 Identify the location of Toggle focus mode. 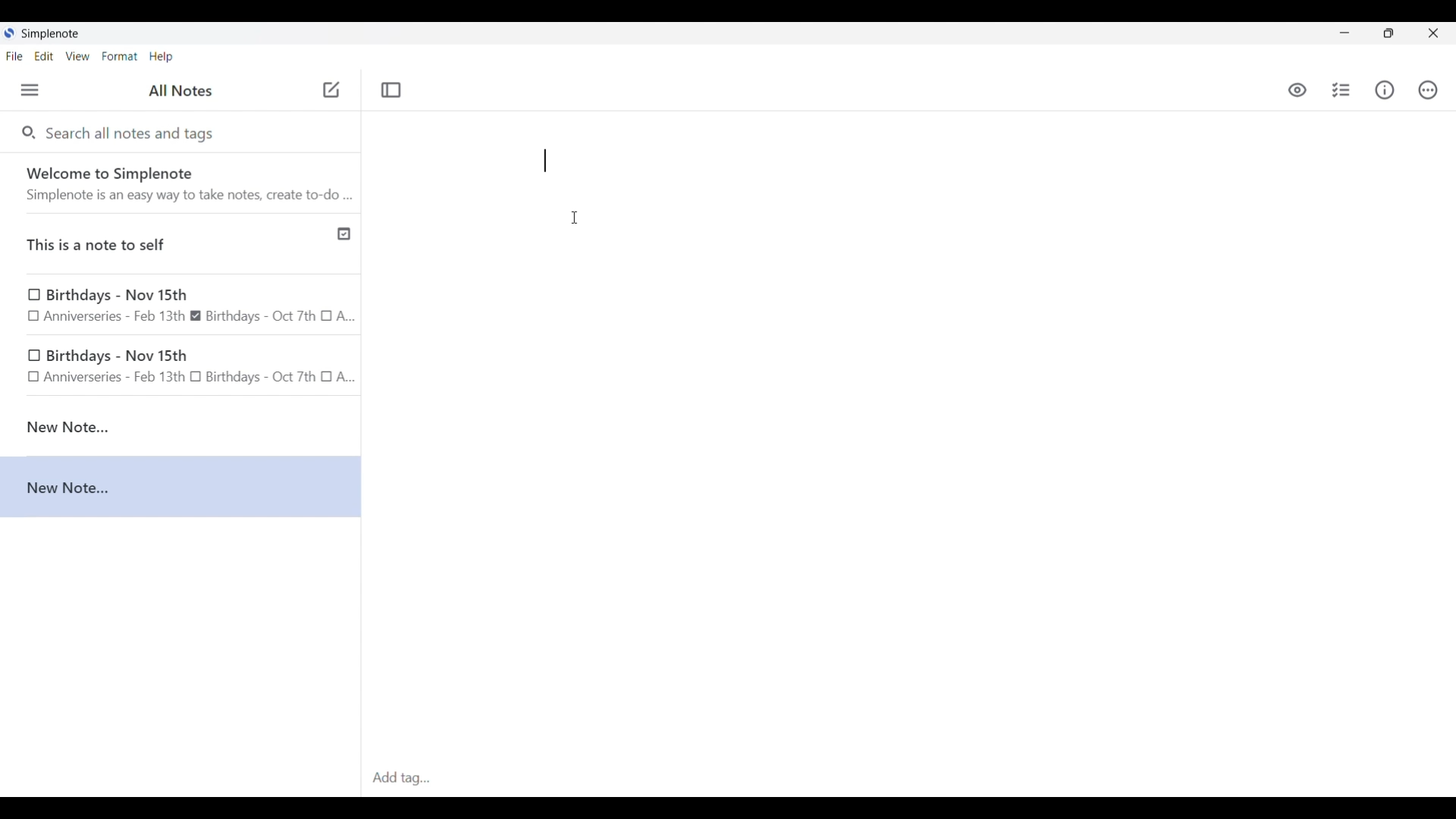
(391, 90).